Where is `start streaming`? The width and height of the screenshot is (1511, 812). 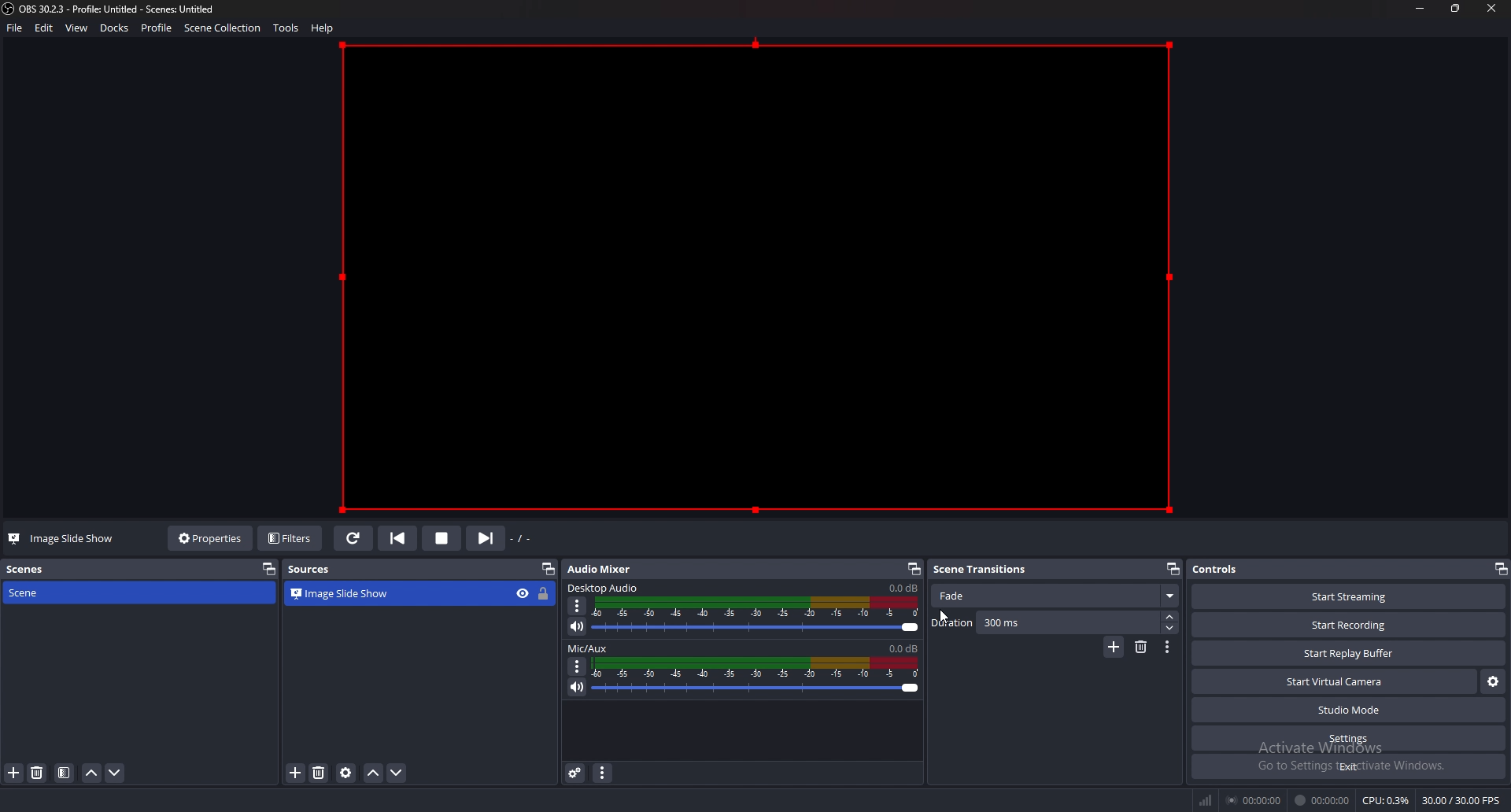
start streaming is located at coordinates (1350, 599).